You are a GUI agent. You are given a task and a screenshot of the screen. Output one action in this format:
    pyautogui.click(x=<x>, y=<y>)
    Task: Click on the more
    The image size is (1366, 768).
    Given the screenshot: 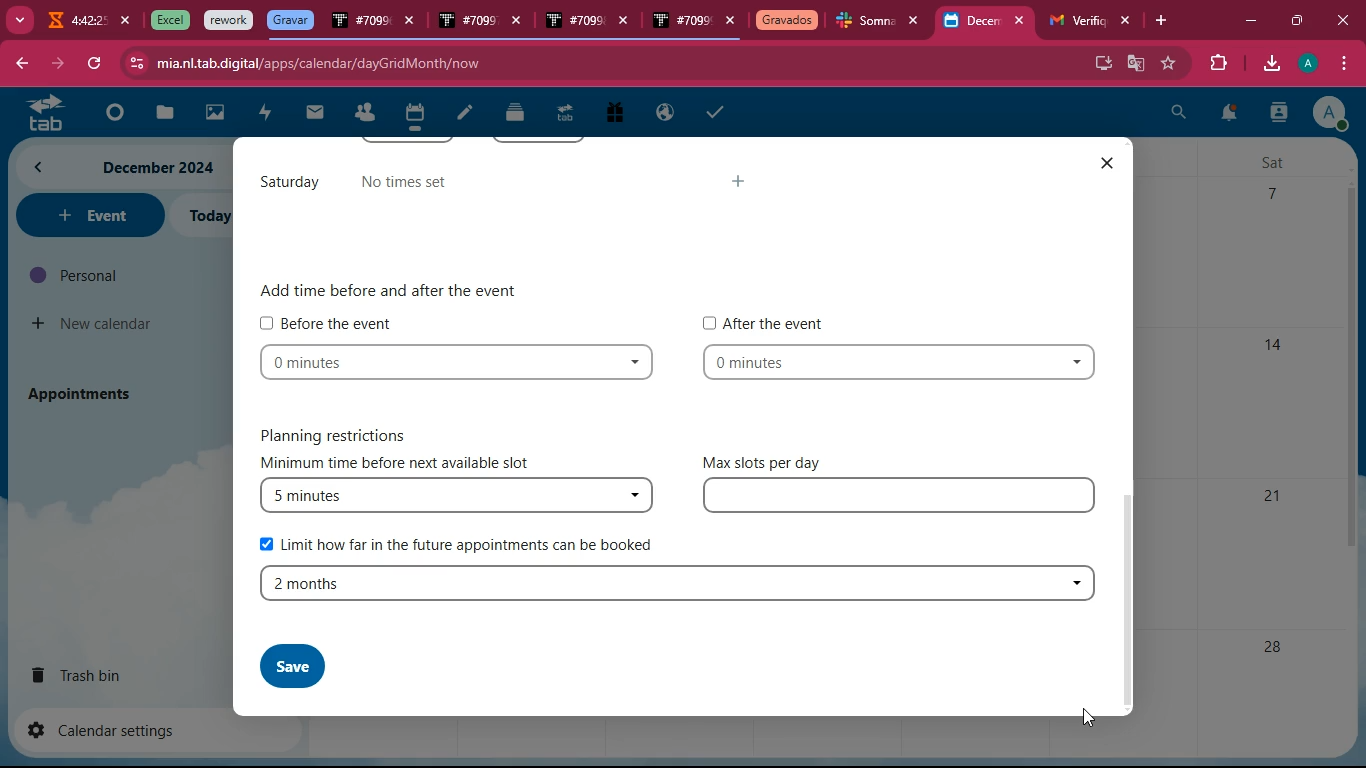 What is the action you would take?
    pyautogui.click(x=18, y=18)
    